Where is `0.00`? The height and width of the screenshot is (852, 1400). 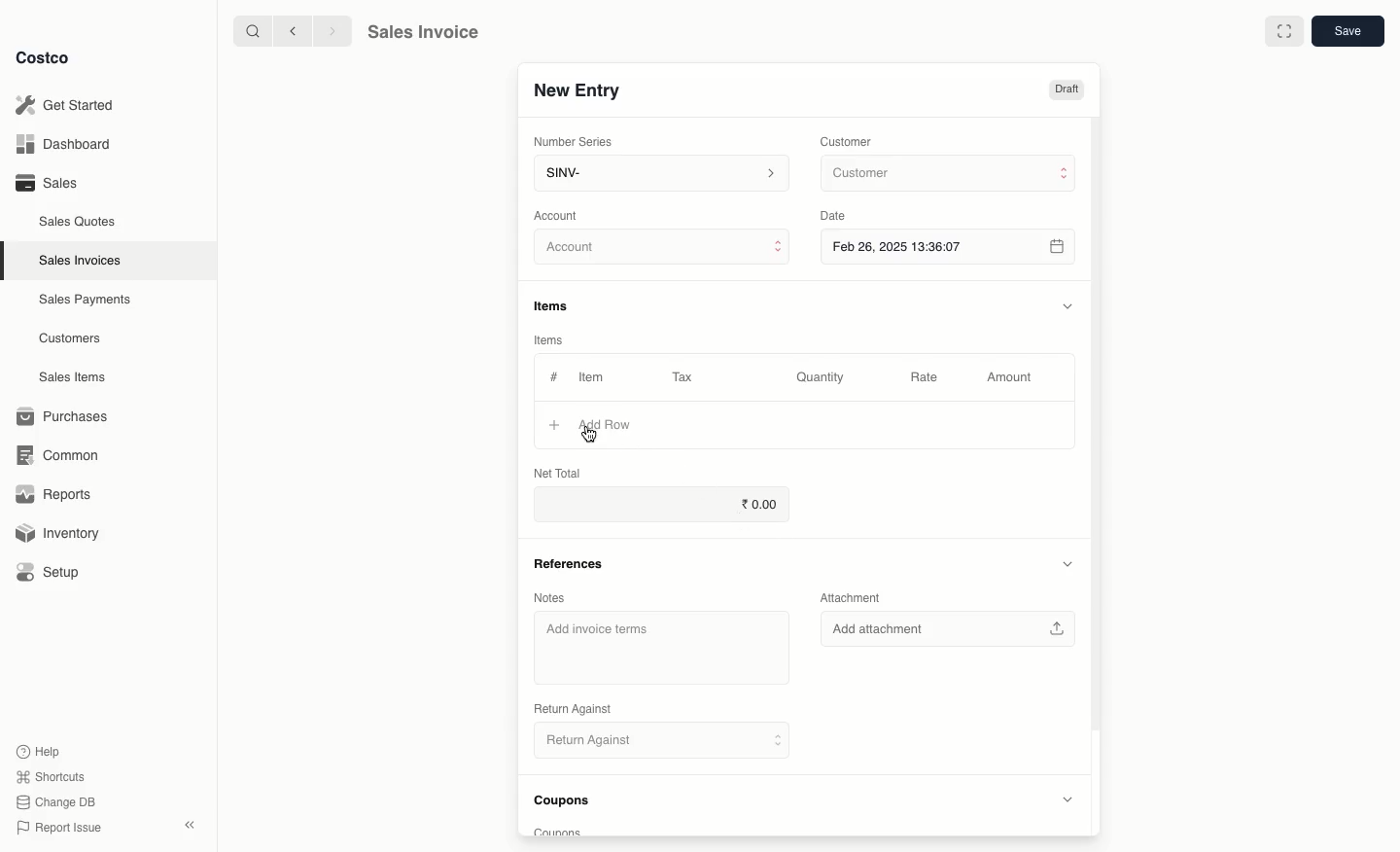 0.00 is located at coordinates (759, 504).